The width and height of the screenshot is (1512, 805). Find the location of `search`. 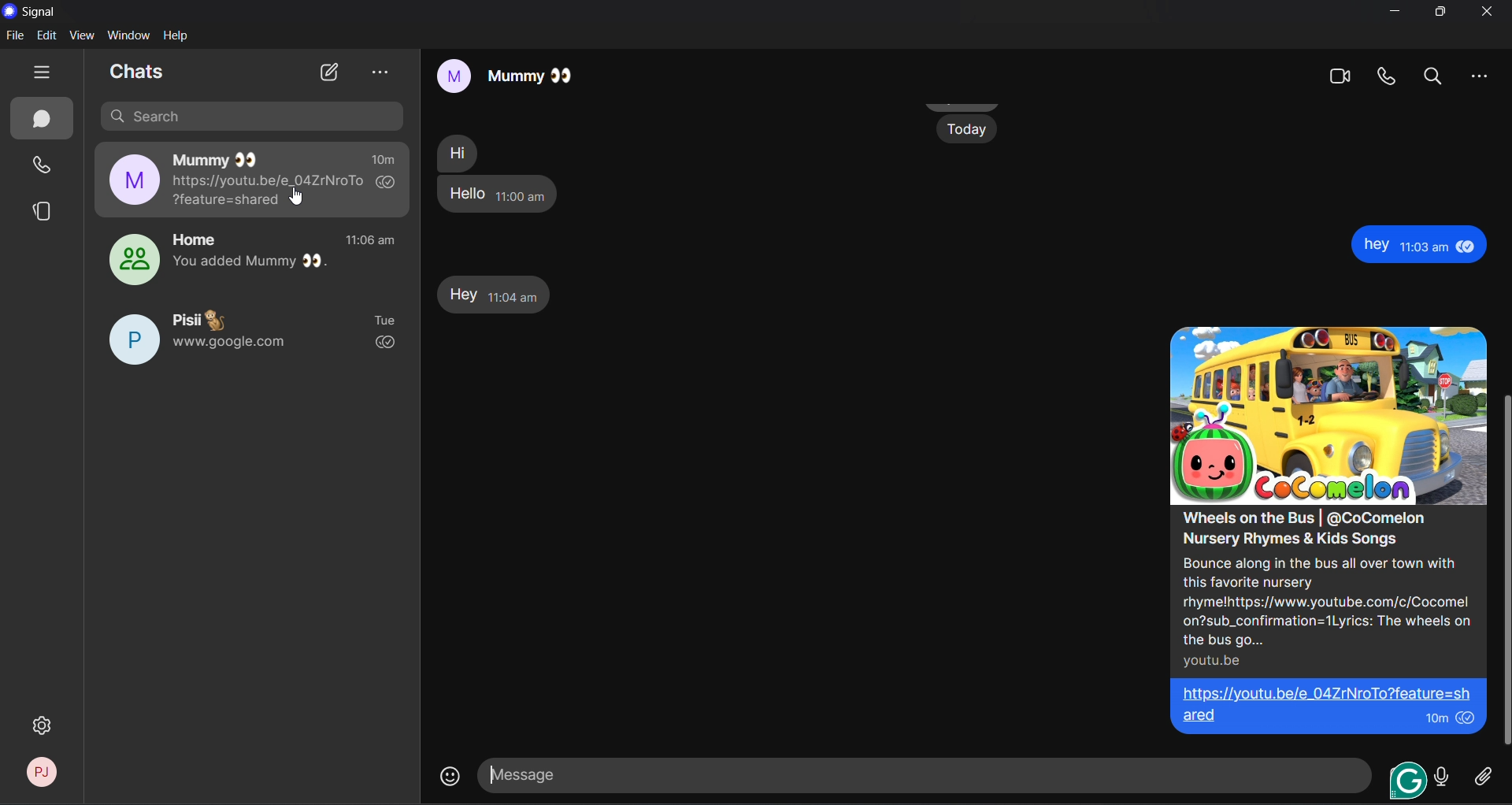

search is located at coordinates (1435, 73).